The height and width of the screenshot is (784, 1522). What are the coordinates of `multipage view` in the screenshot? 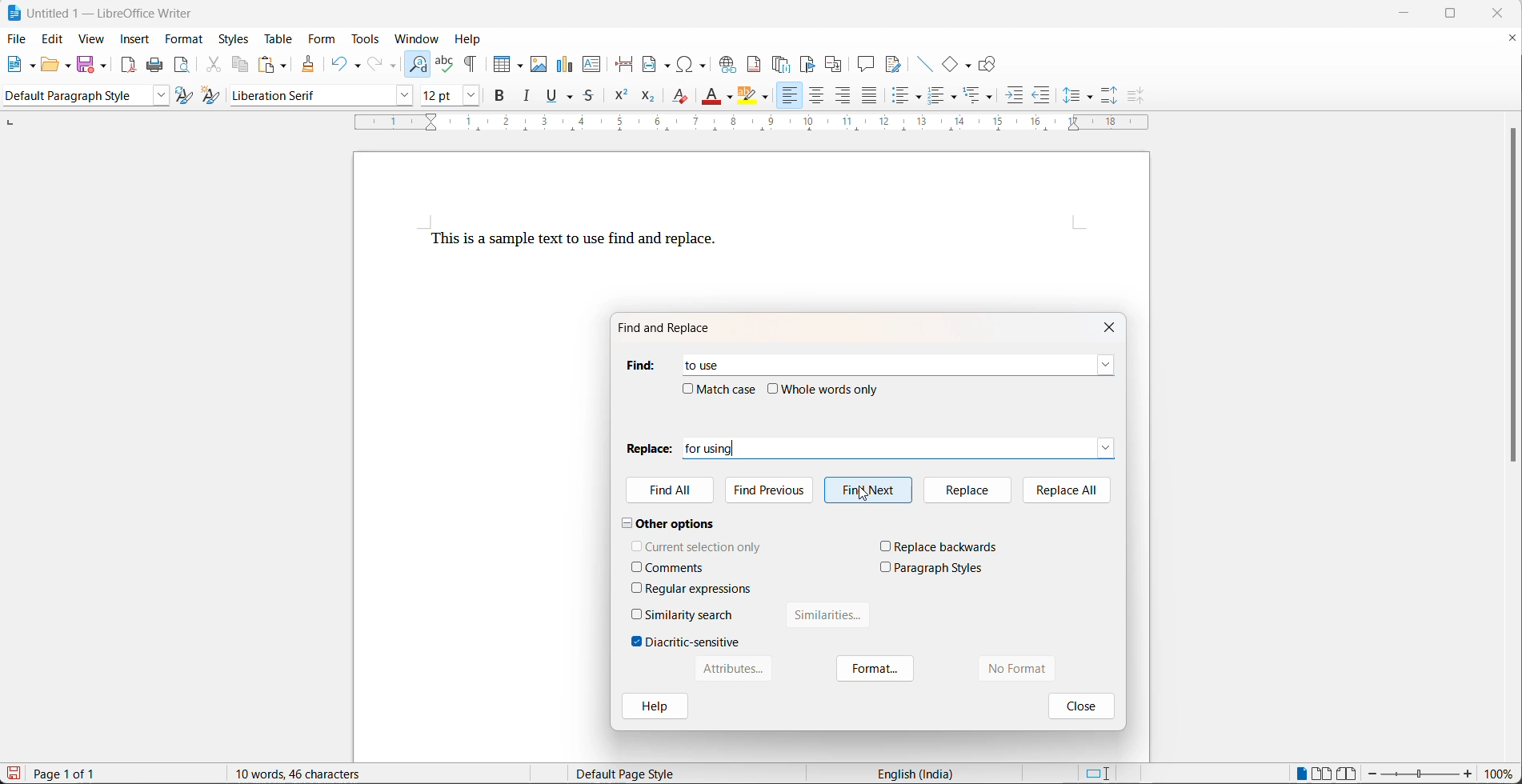 It's located at (1321, 773).